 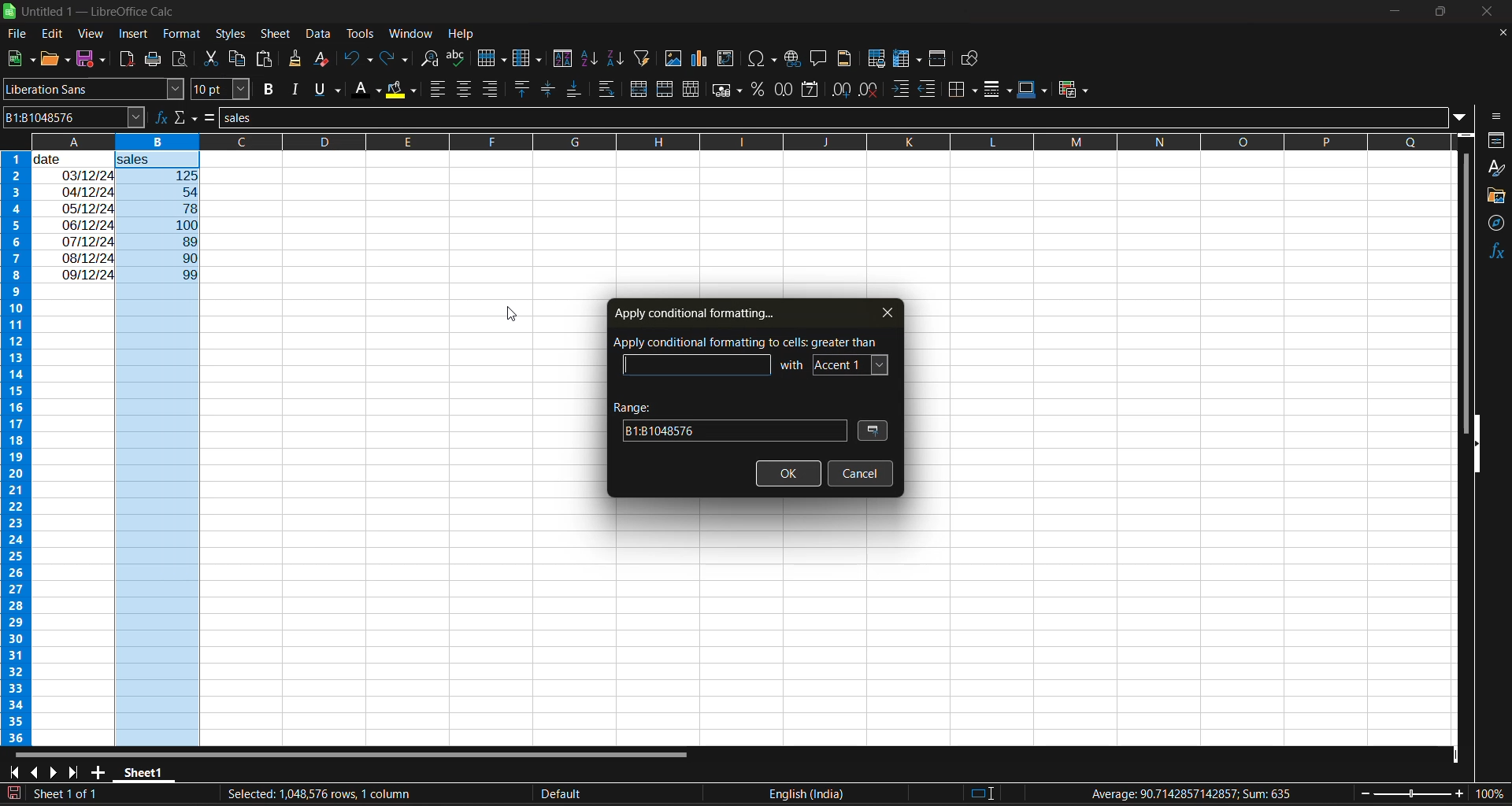 What do you see at coordinates (973, 59) in the screenshot?
I see `show draw functions` at bounding box center [973, 59].